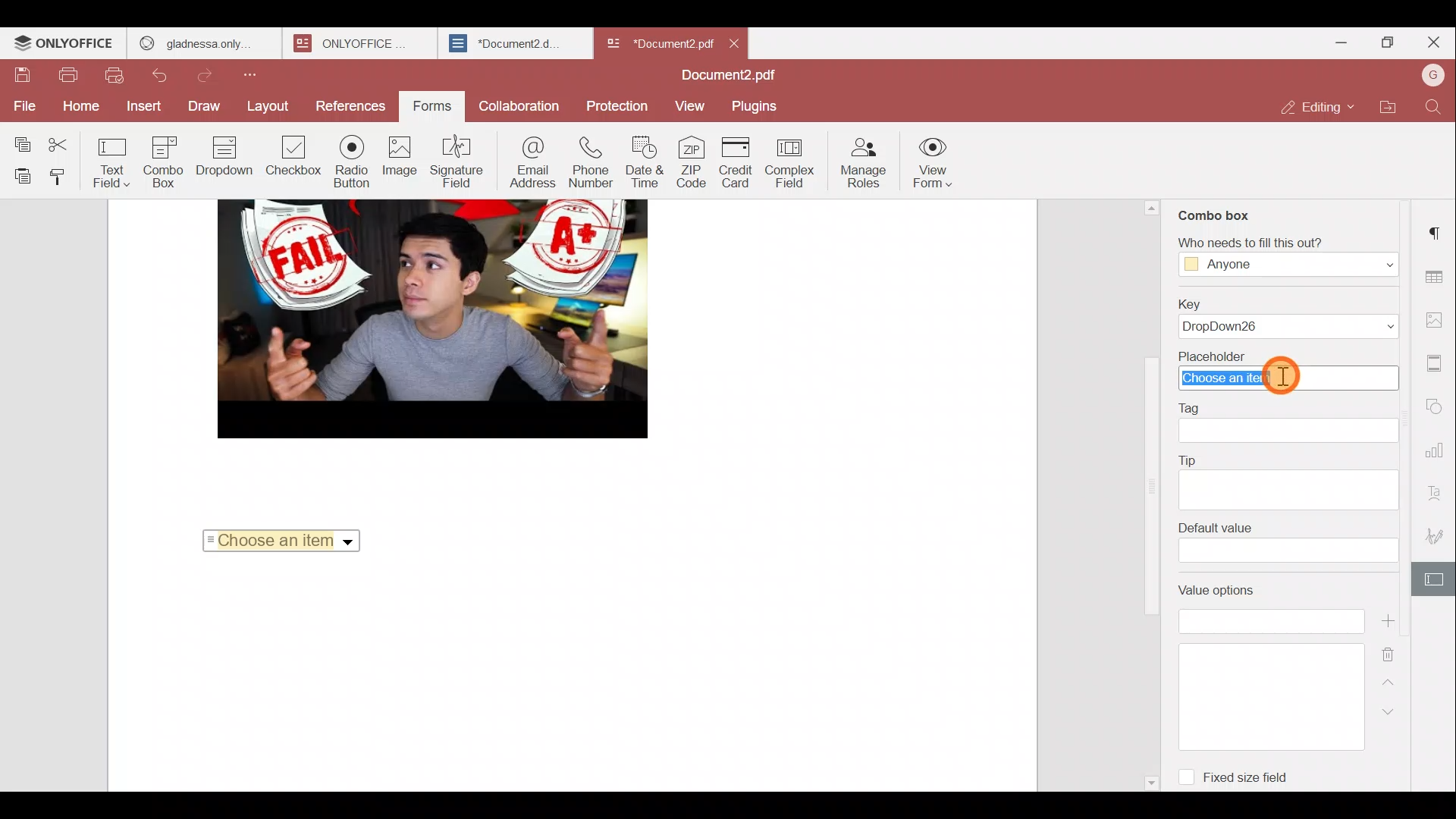 This screenshot has height=819, width=1456. Describe the element at coordinates (64, 45) in the screenshot. I see `ONLYOFFICE` at that location.